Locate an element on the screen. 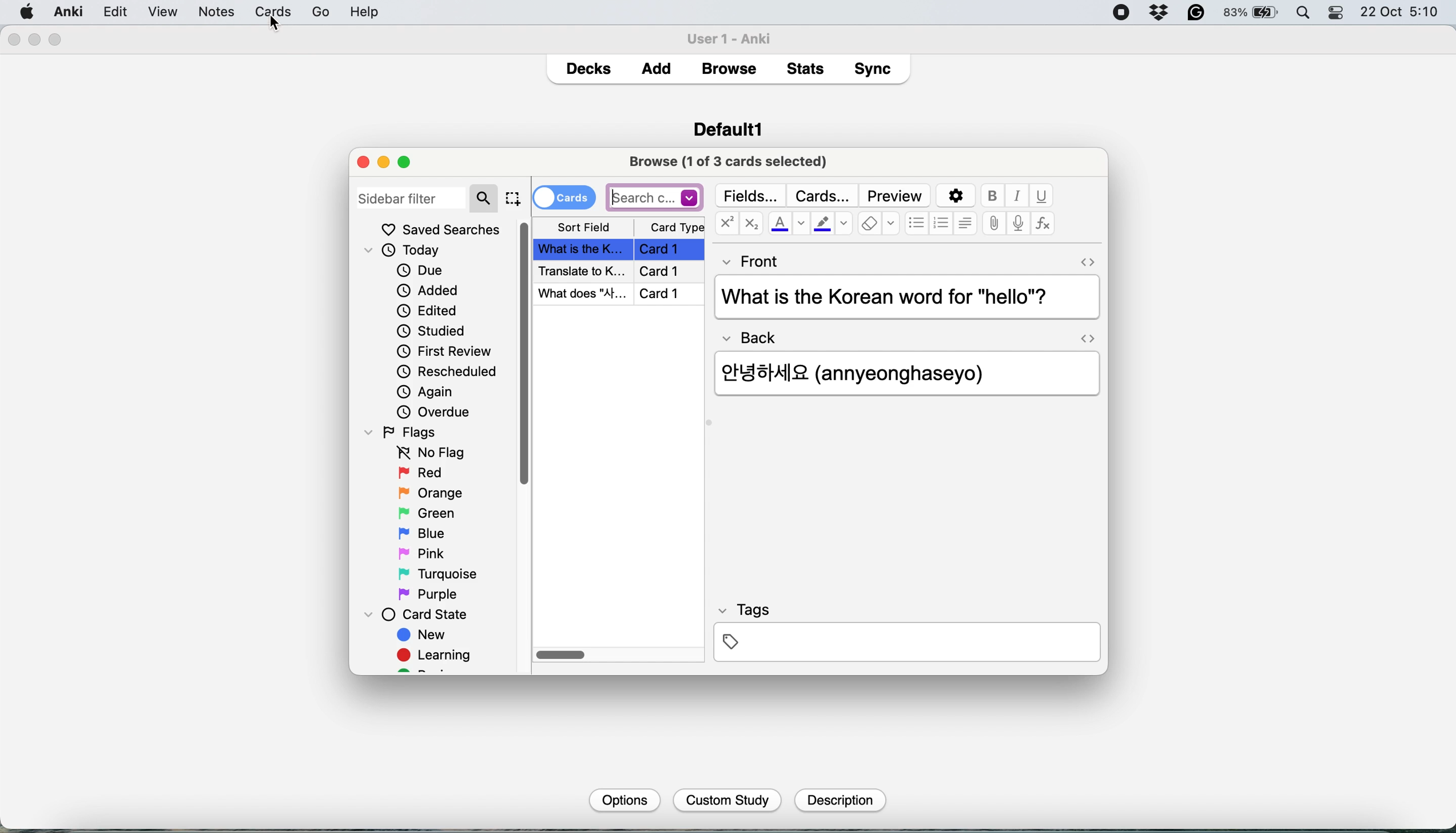  fields is located at coordinates (752, 196).